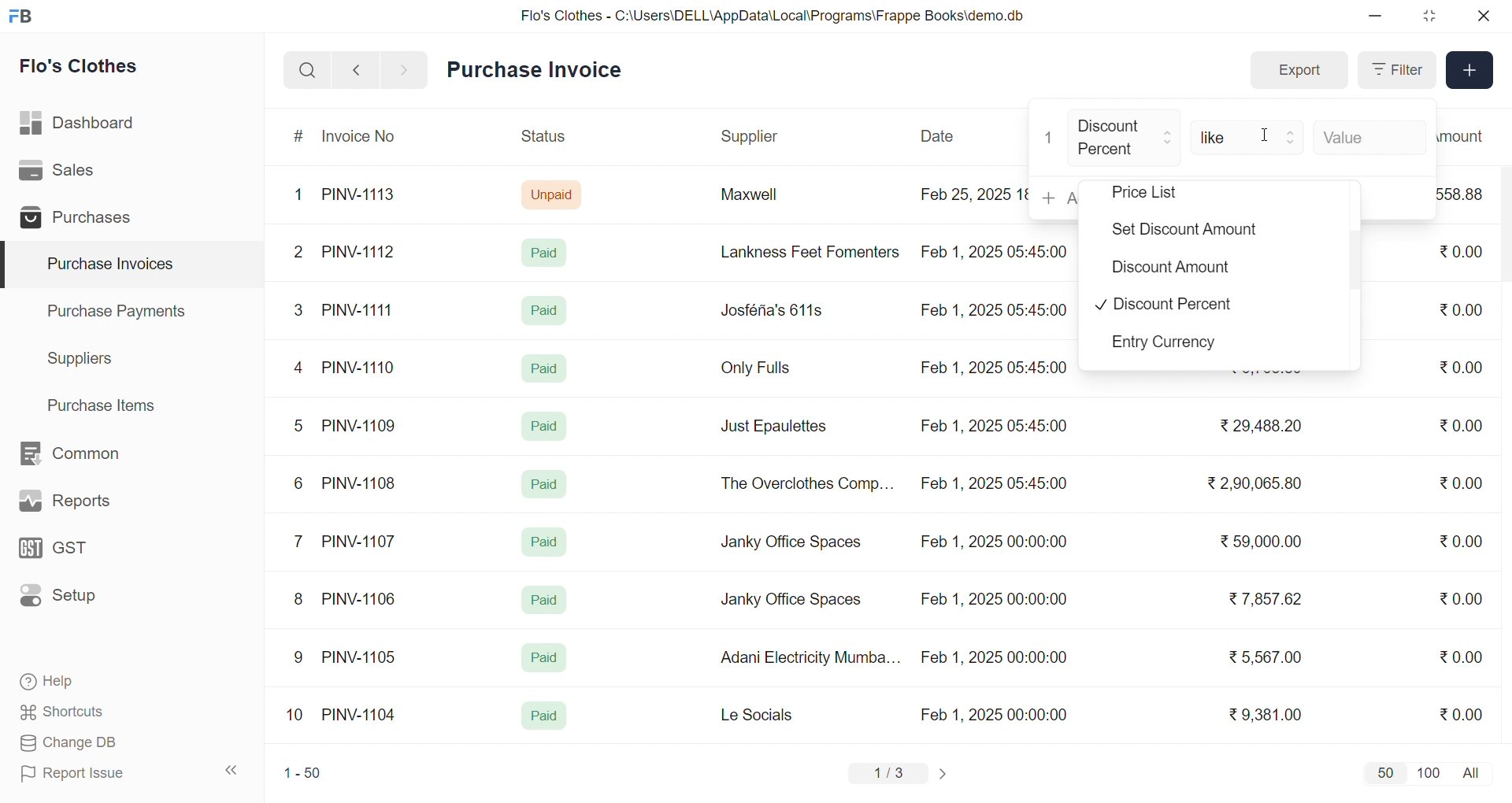  What do you see at coordinates (299, 601) in the screenshot?
I see `8` at bounding box center [299, 601].